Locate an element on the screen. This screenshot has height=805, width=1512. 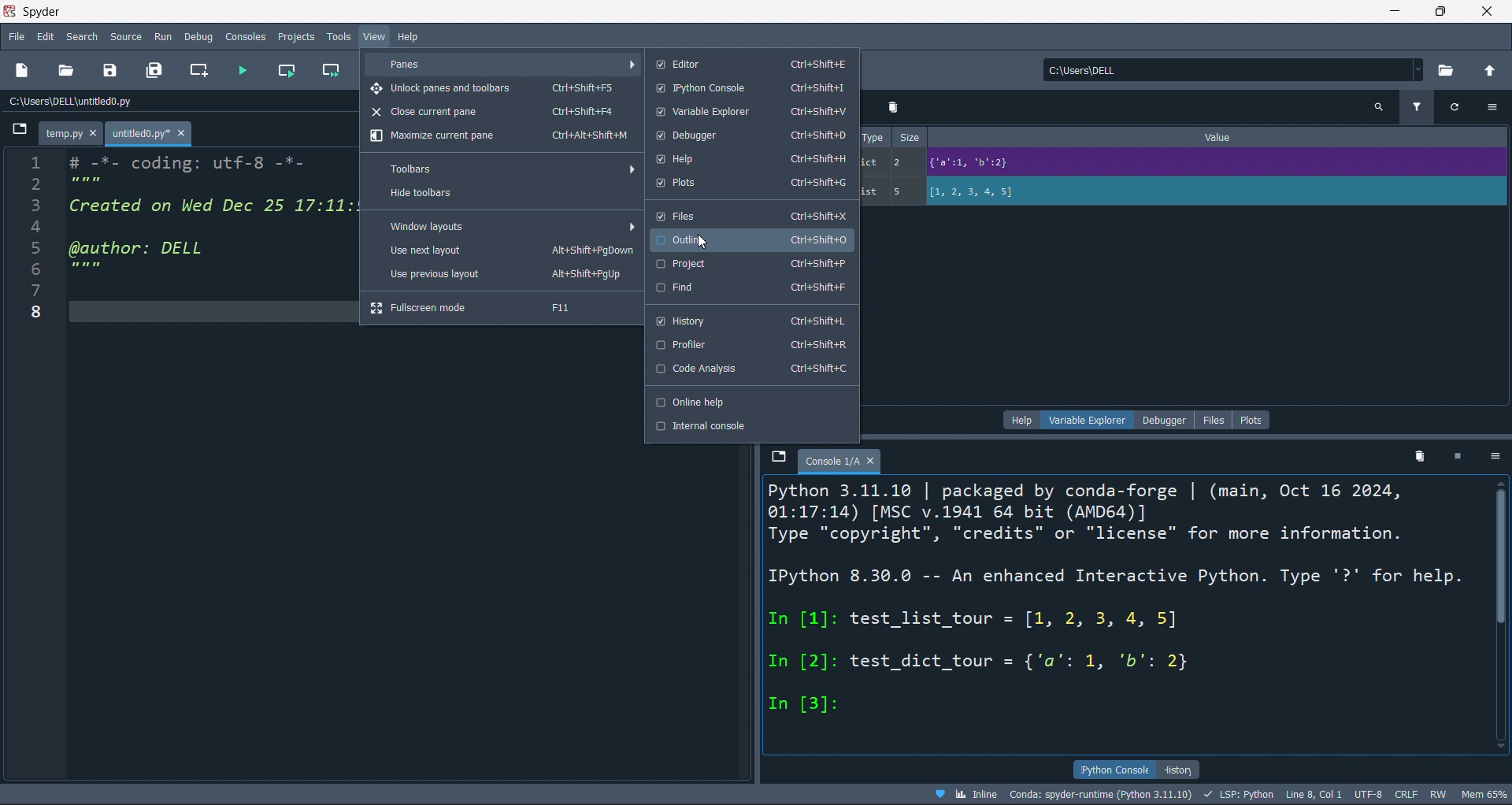
type is located at coordinates (873, 137).